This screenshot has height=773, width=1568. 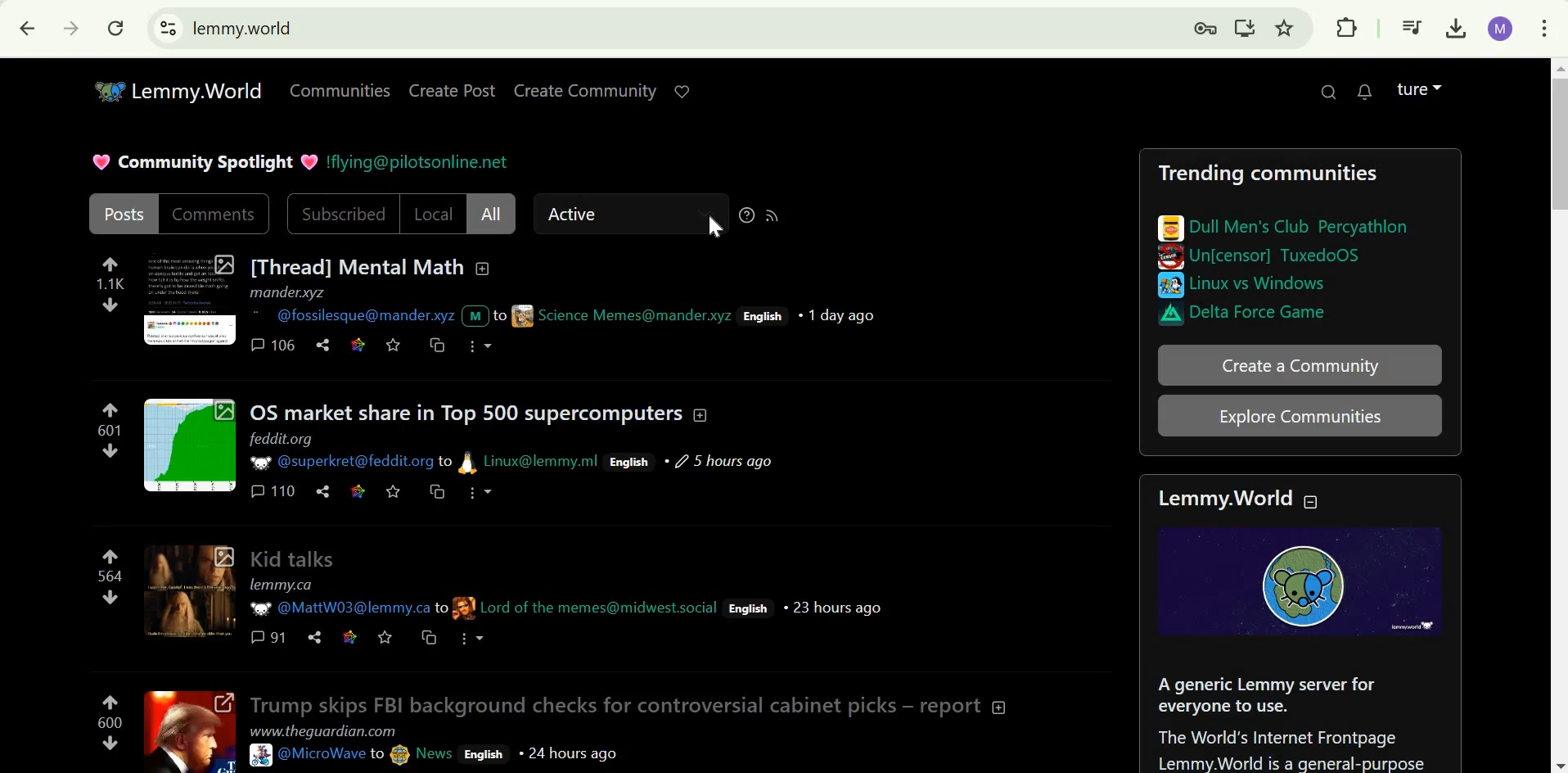 I want to click on picture, so click(x=259, y=608).